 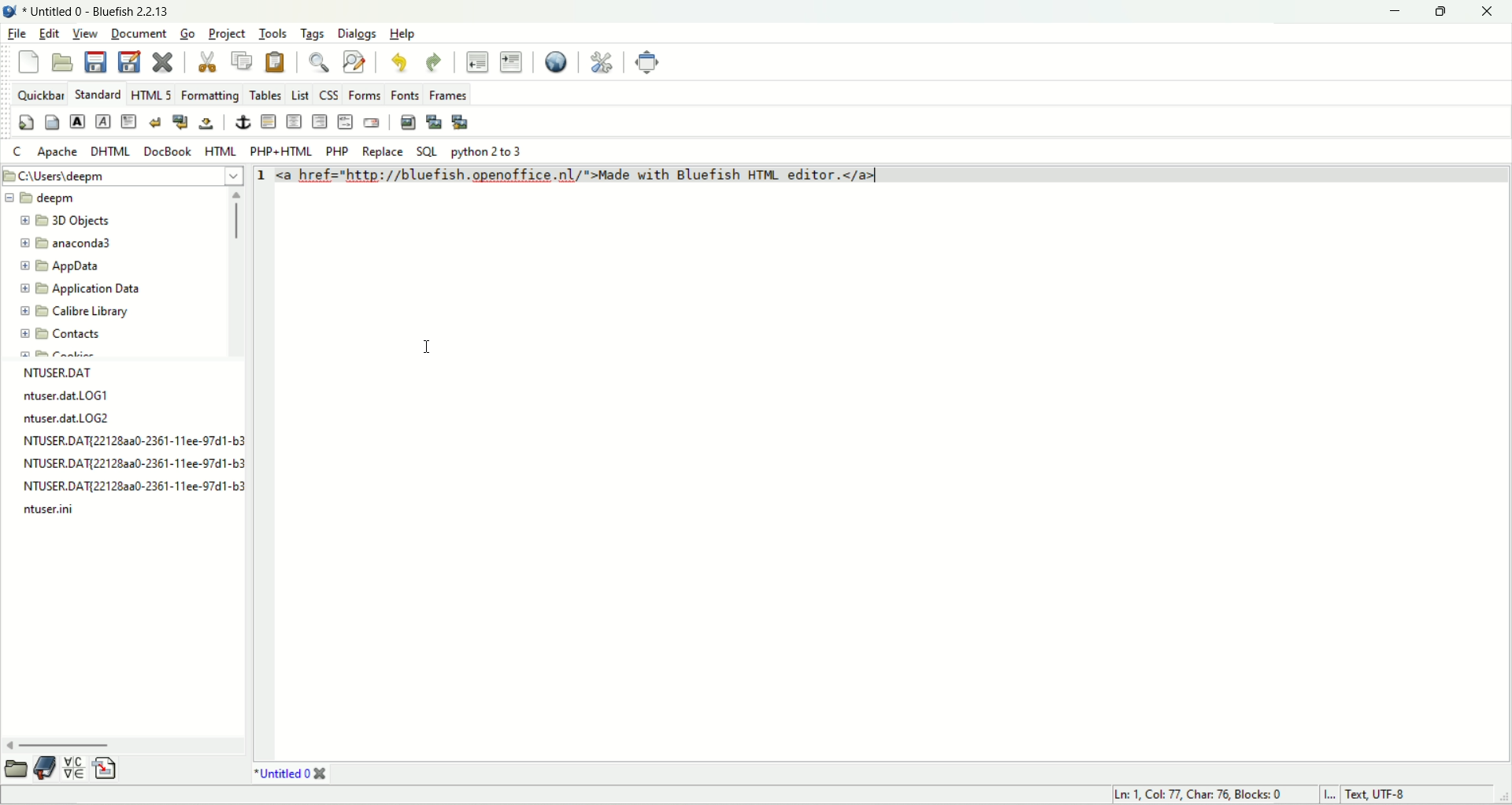 What do you see at coordinates (344, 121) in the screenshot?
I see `HTML comment` at bounding box center [344, 121].